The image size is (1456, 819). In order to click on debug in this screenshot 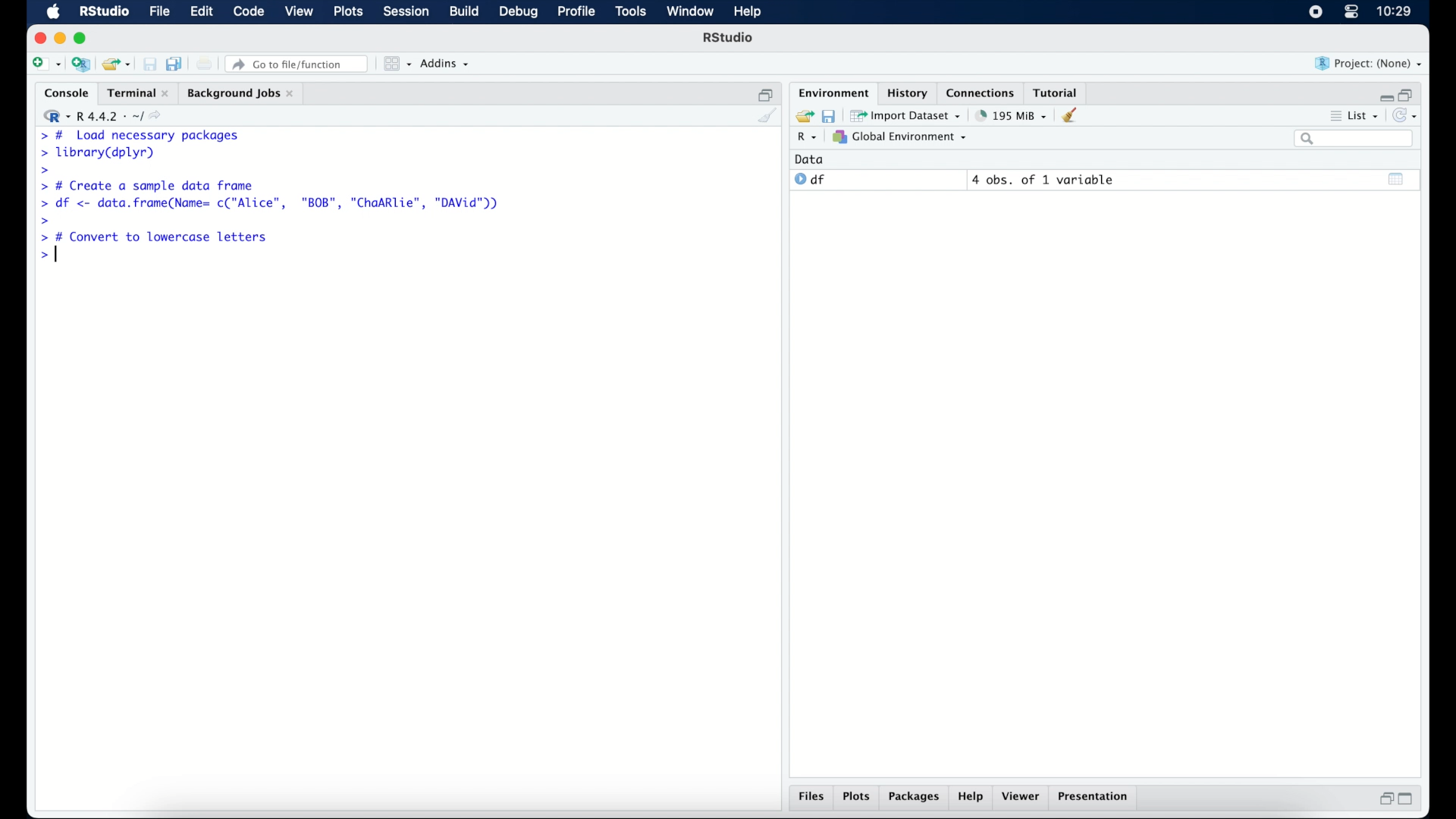, I will do `click(519, 13)`.